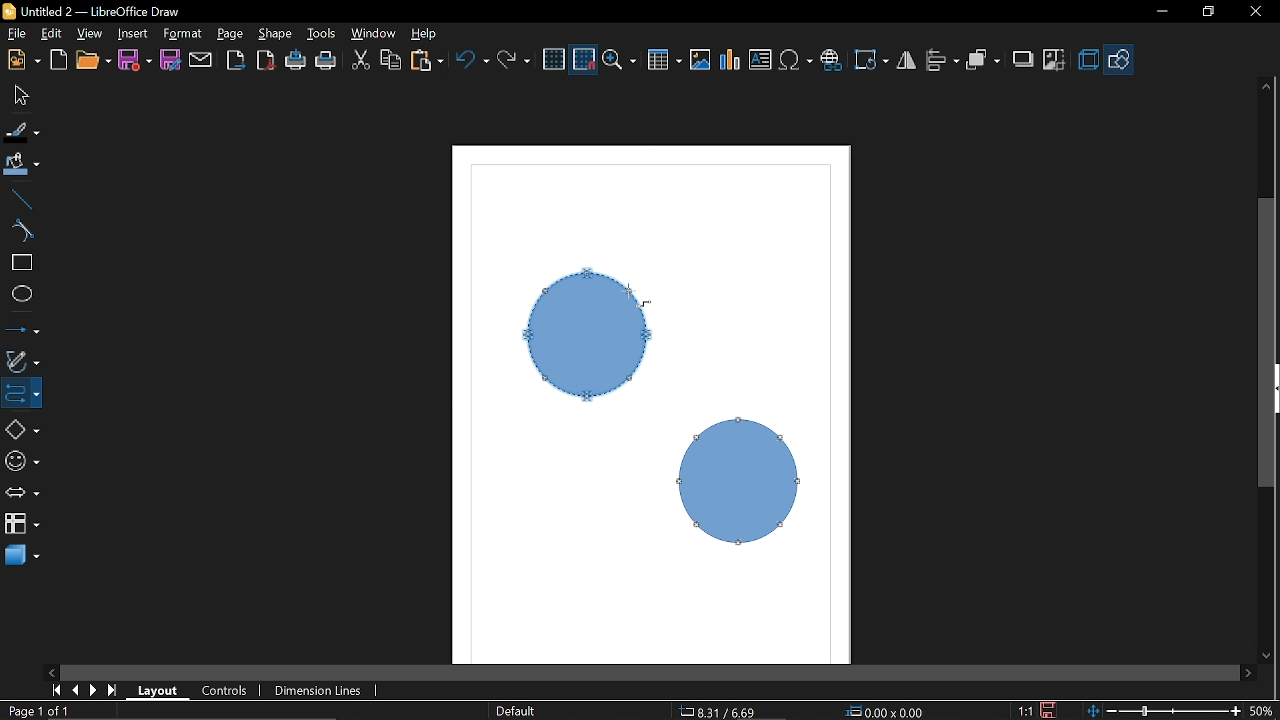 Image resolution: width=1280 pixels, height=720 pixels. I want to click on Shape, so click(275, 34).